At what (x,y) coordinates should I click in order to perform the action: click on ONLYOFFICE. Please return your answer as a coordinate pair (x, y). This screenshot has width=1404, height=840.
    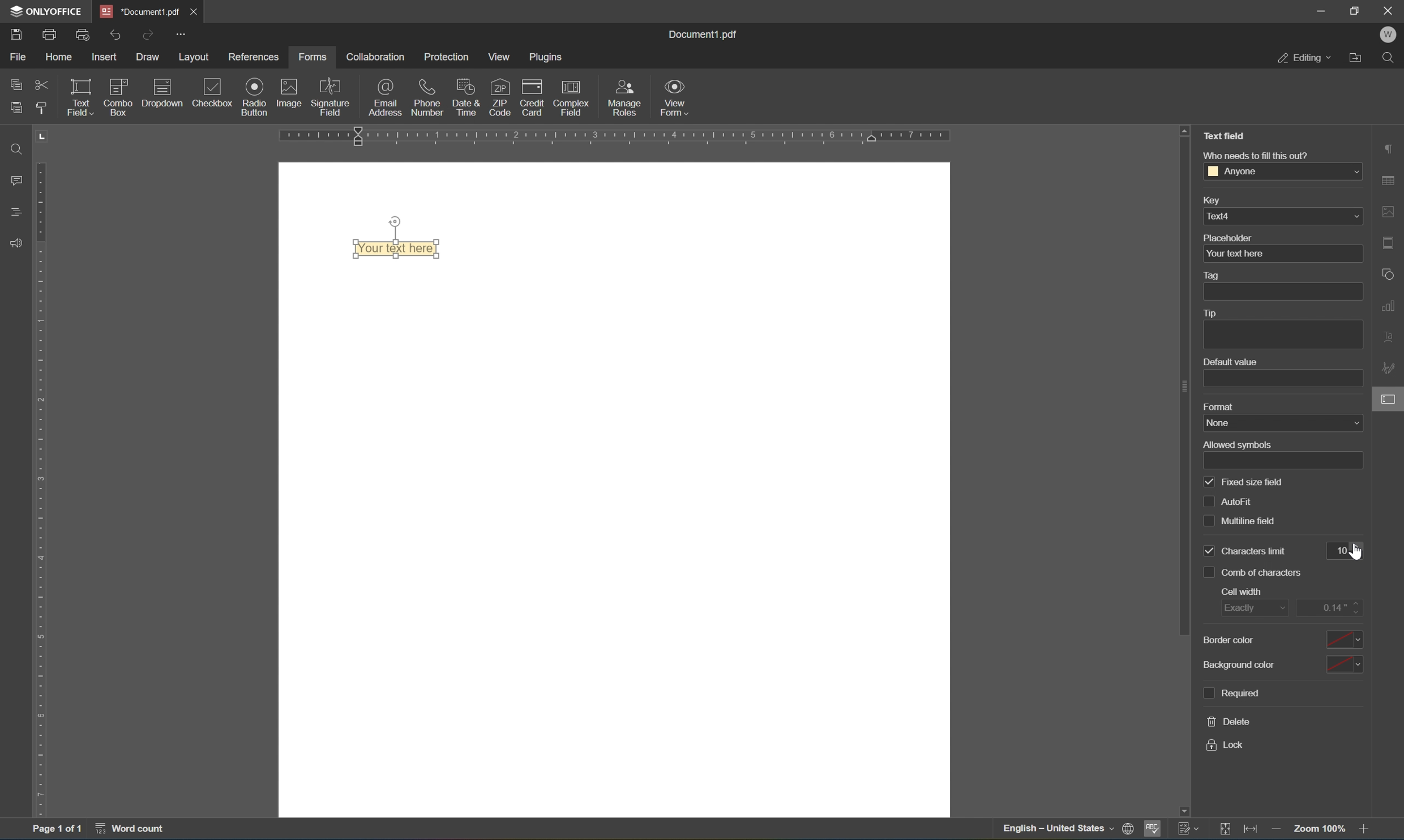
    Looking at the image, I should click on (44, 12).